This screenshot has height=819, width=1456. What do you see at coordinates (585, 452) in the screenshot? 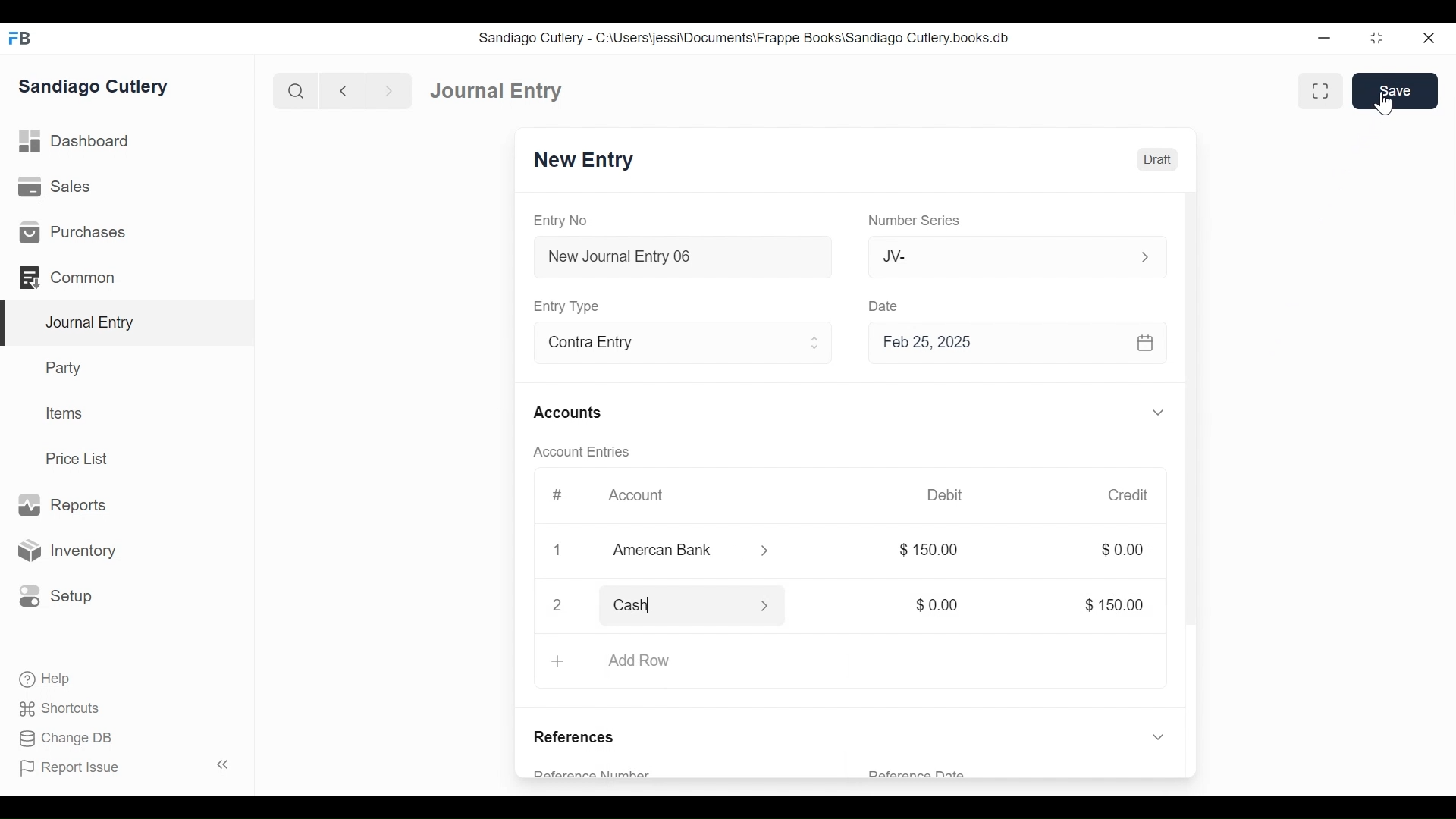
I see `Account Entries` at bounding box center [585, 452].